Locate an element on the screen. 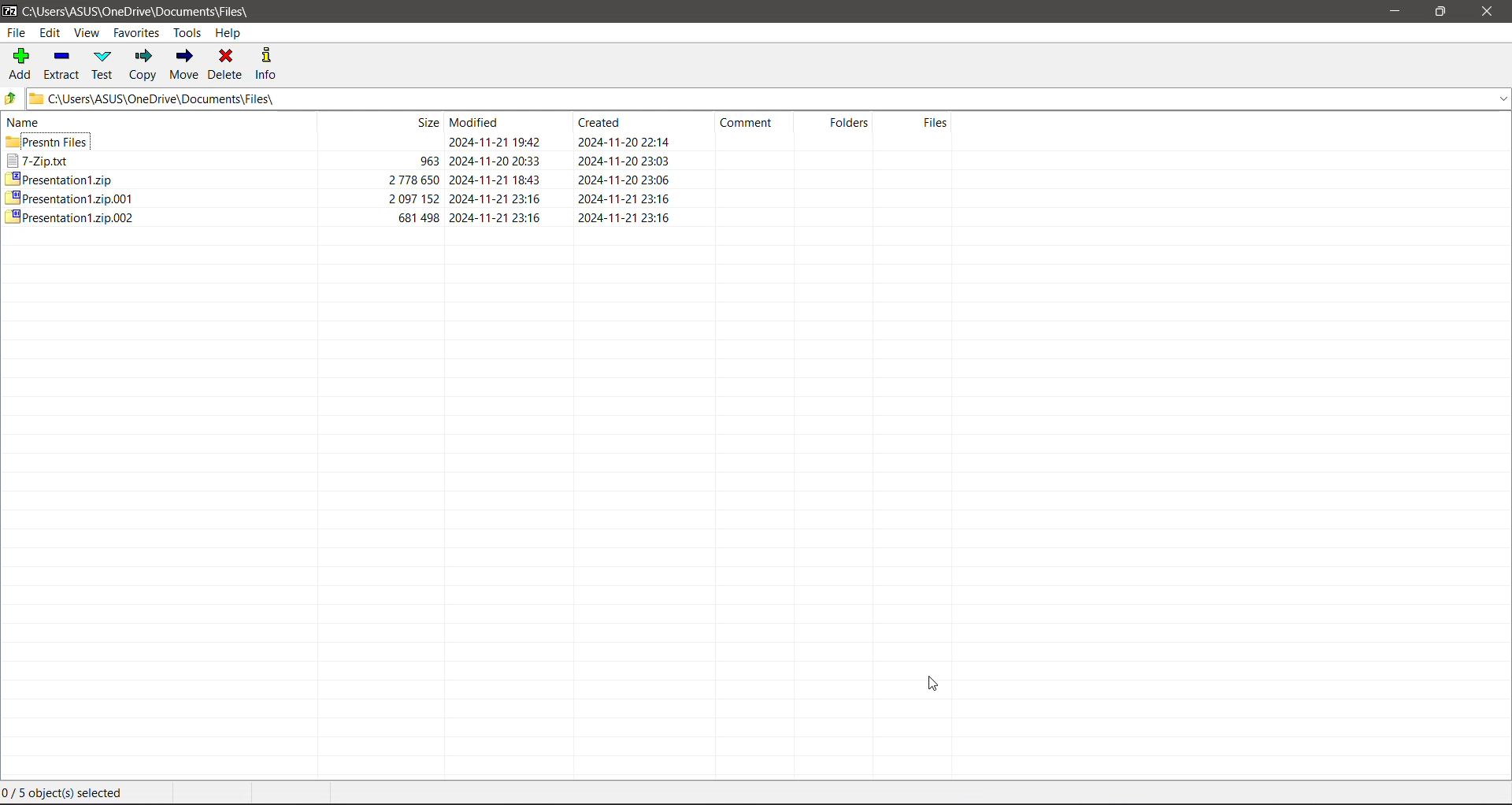 This screenshot has height=805, width=1512. Current Folder Location Path is located at coordinates (754, 98).